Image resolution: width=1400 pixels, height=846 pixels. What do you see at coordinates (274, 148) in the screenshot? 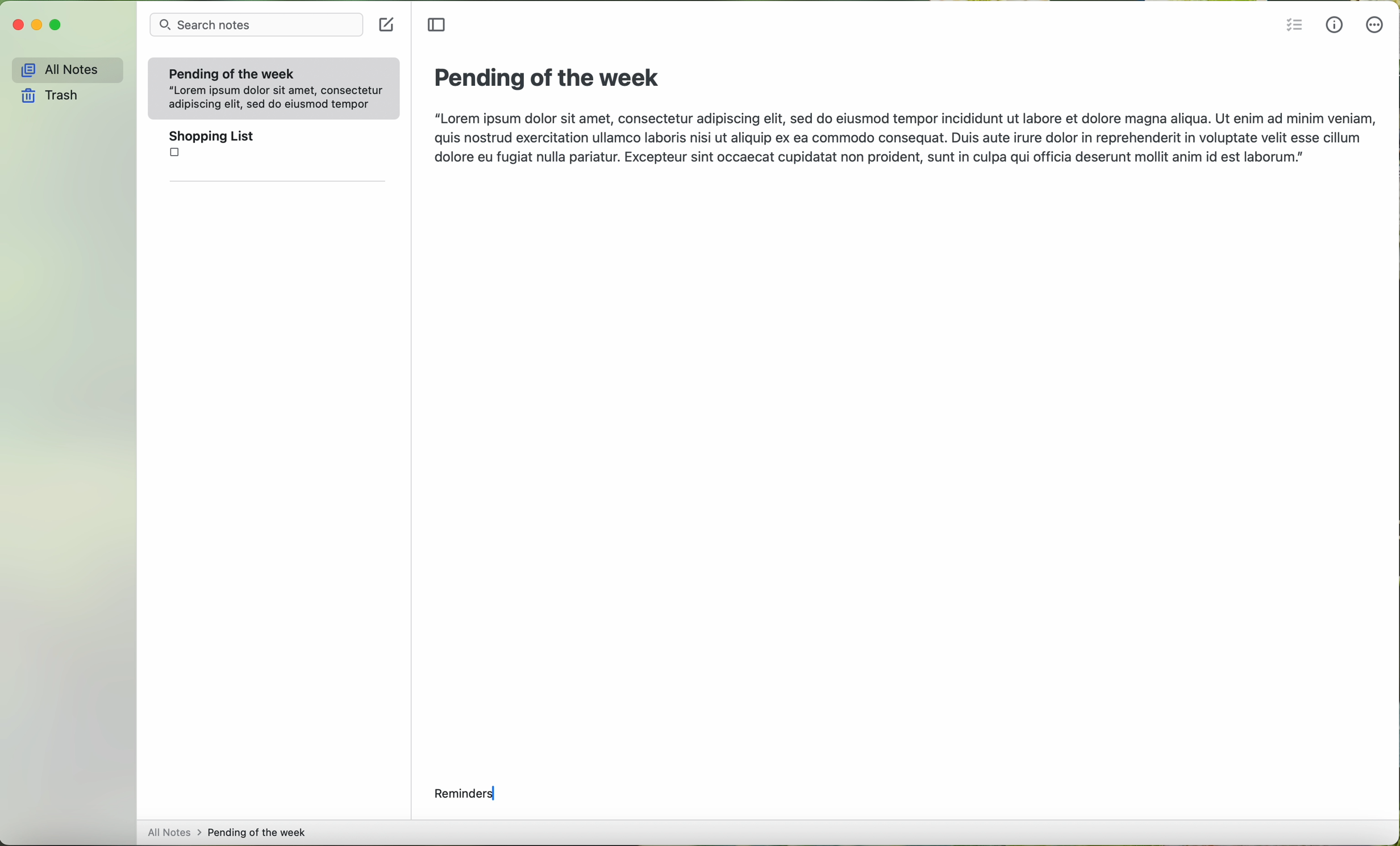
I see `shopping list` at bounding box center [274, 148].